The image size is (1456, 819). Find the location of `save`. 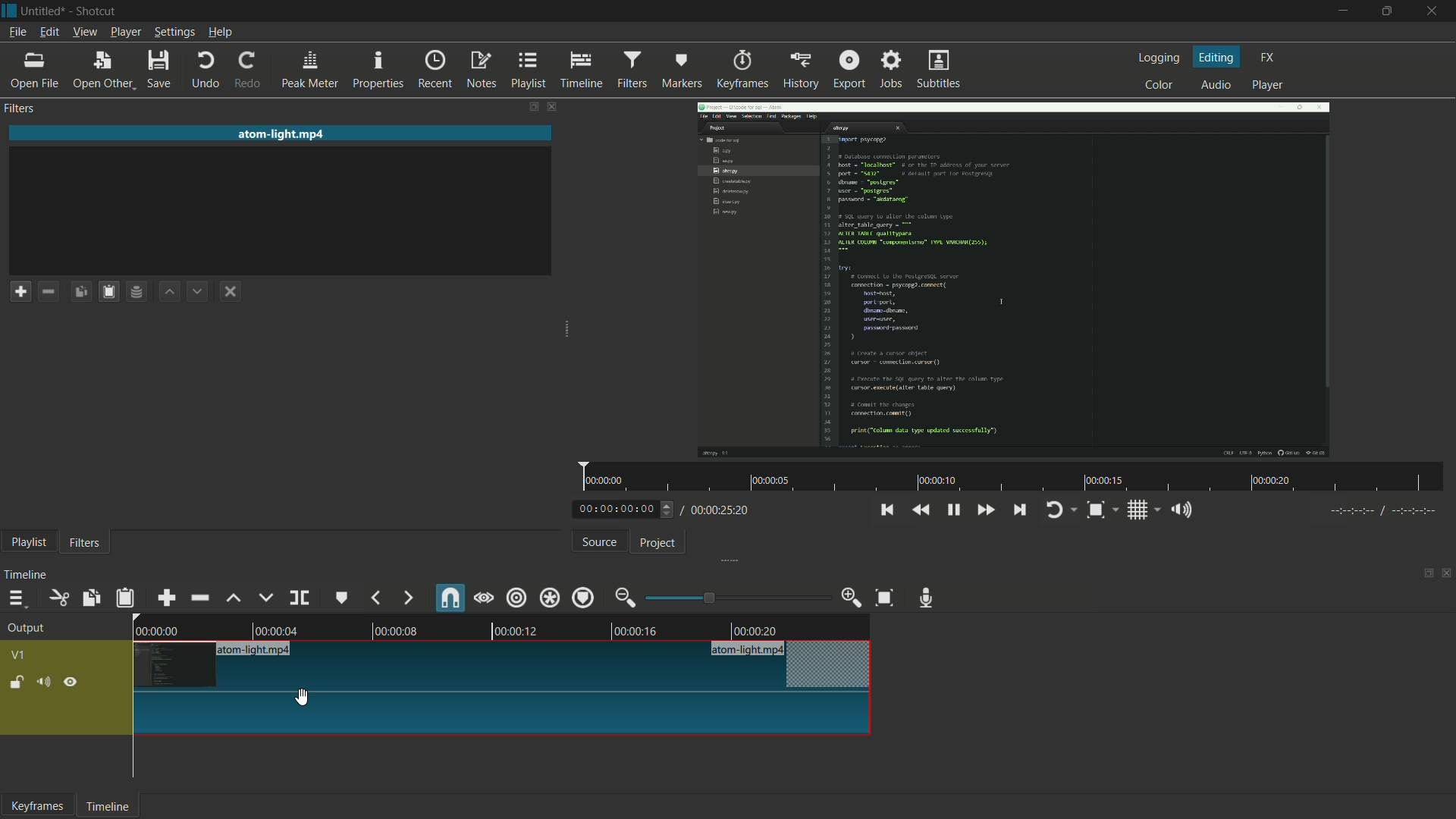

save is located at coordinates (157, 67).